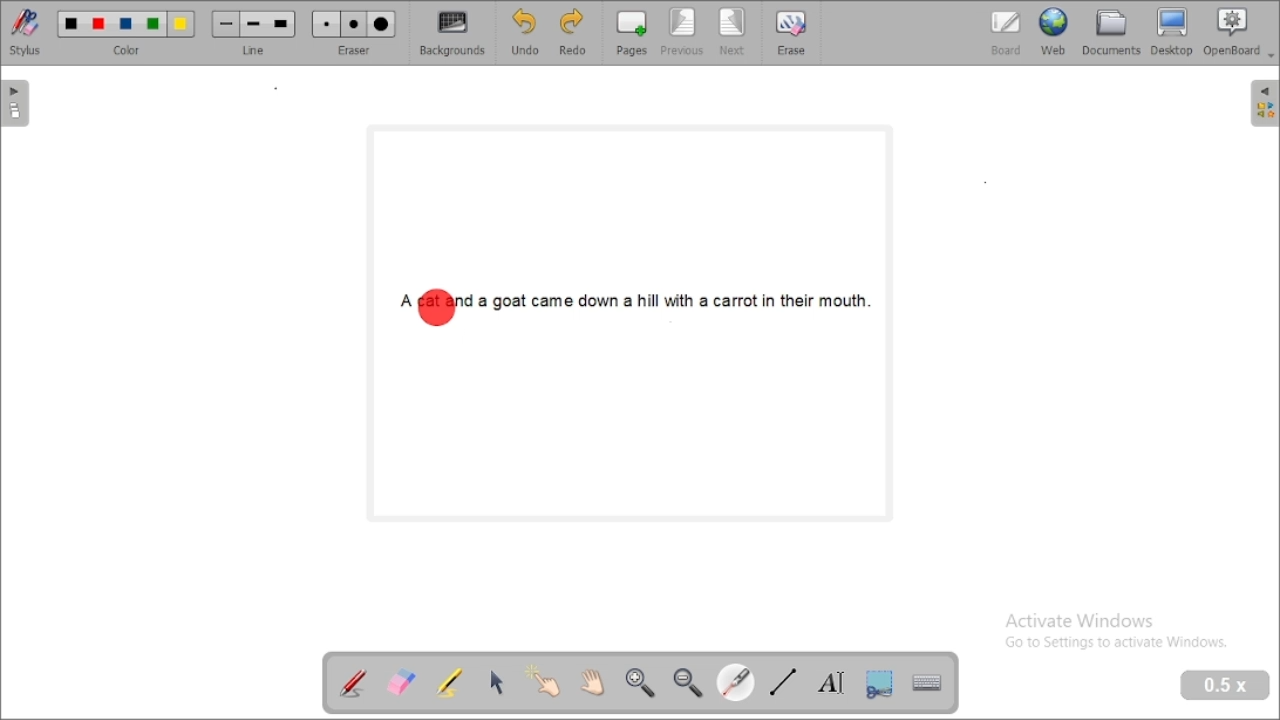 The image size is (1280, 720). Describe the element at coordinates (454, 33) in the screenshot. I see `backgrounds` at that location.